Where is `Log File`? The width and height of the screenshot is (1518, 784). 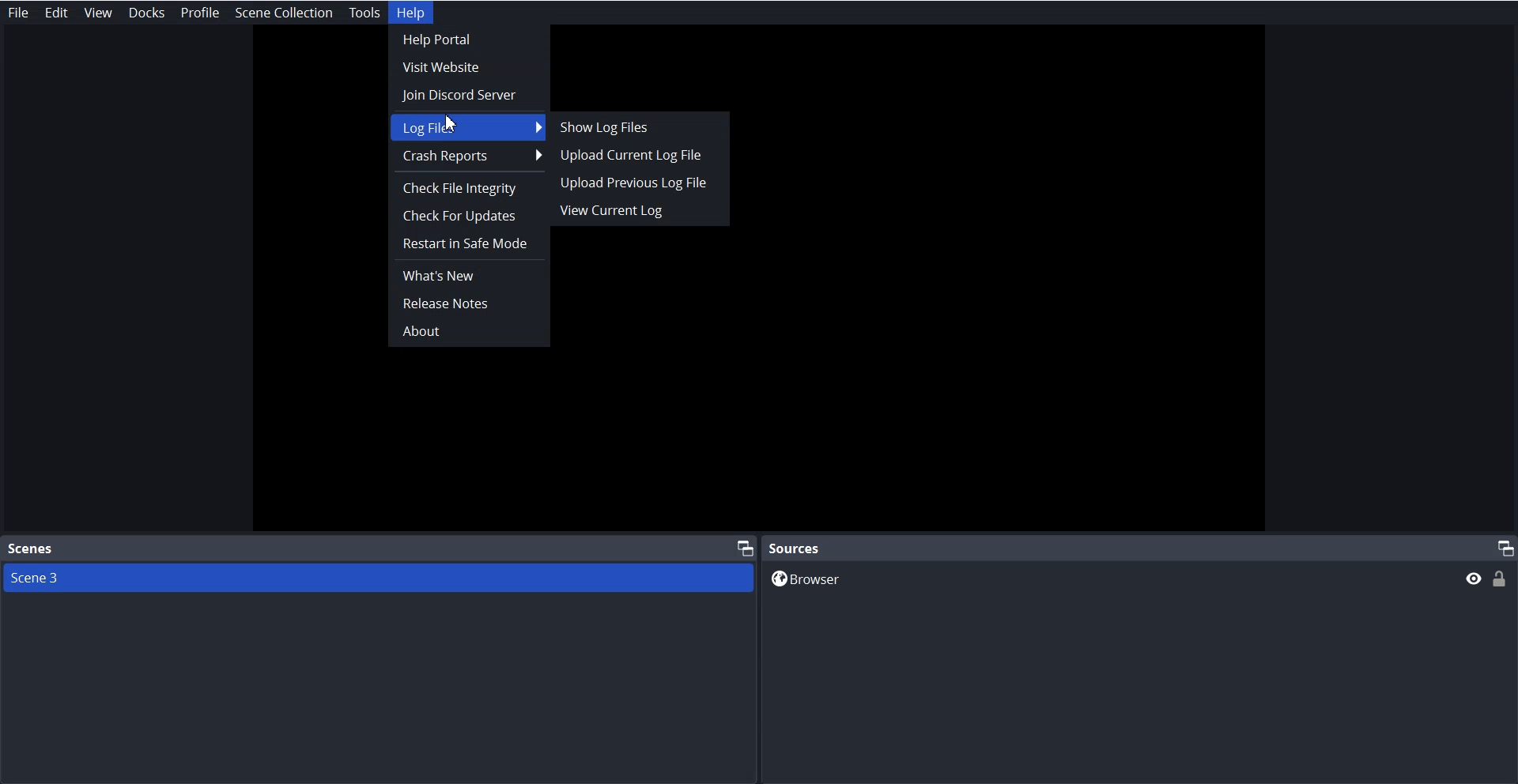
Log File is located at coordinates (467, 126).